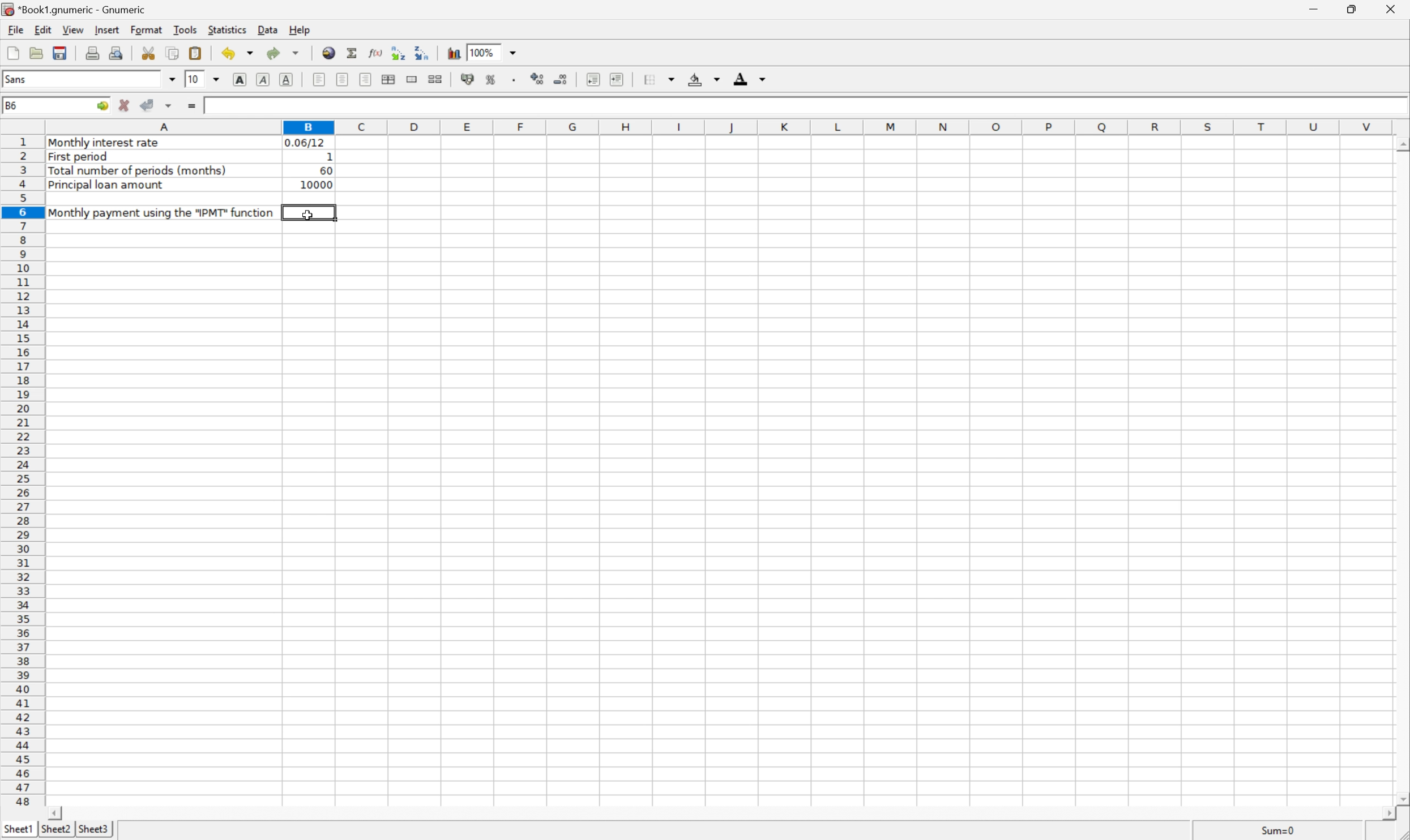 This screenshot has height=840, width=1410. I want to click on Center horizontally, so click(343, 79).